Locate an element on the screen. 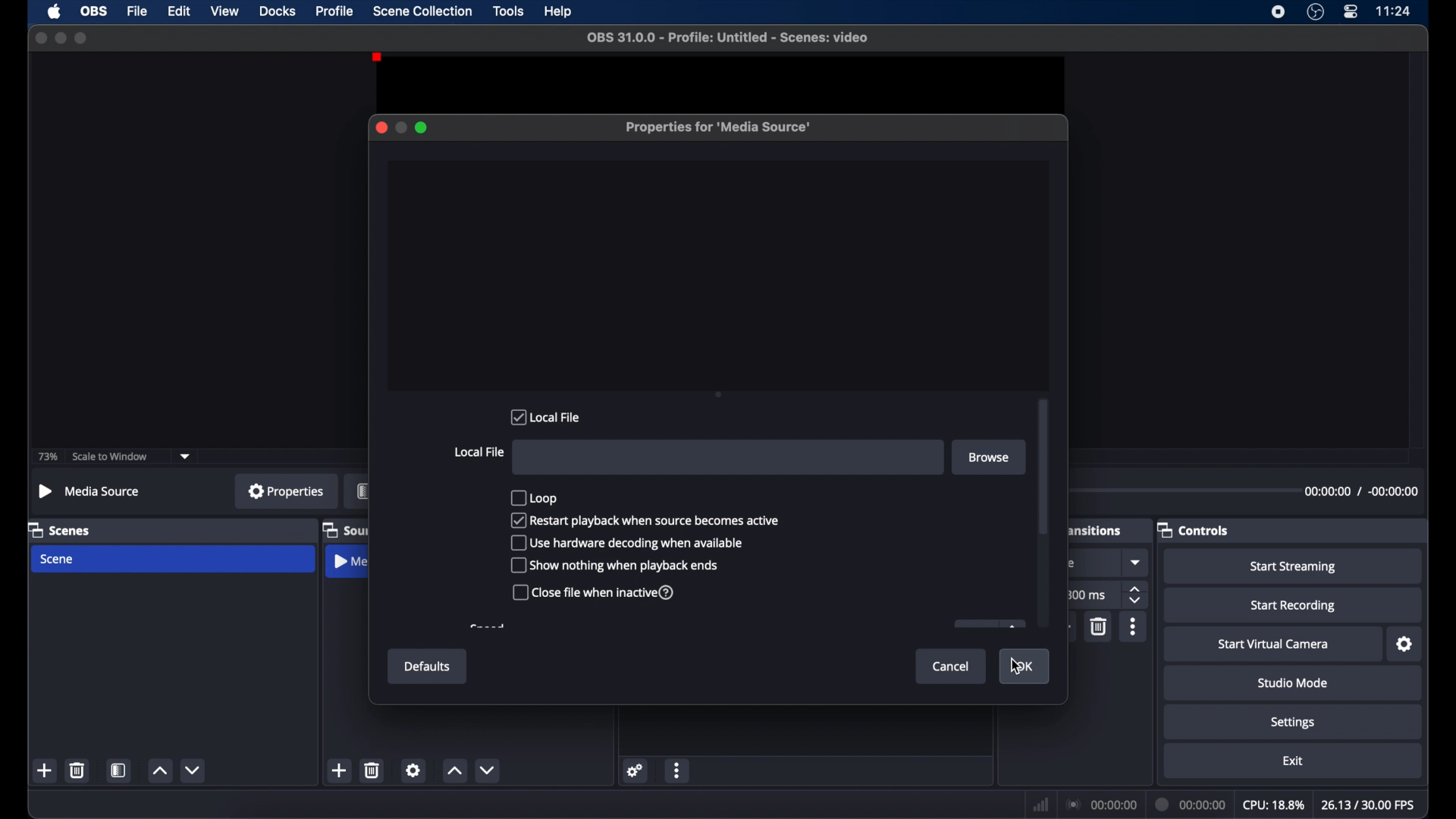 Image resolution: width=1456 pixels, height=819 pixels. obscure icon is located at coordinates (988, 623).